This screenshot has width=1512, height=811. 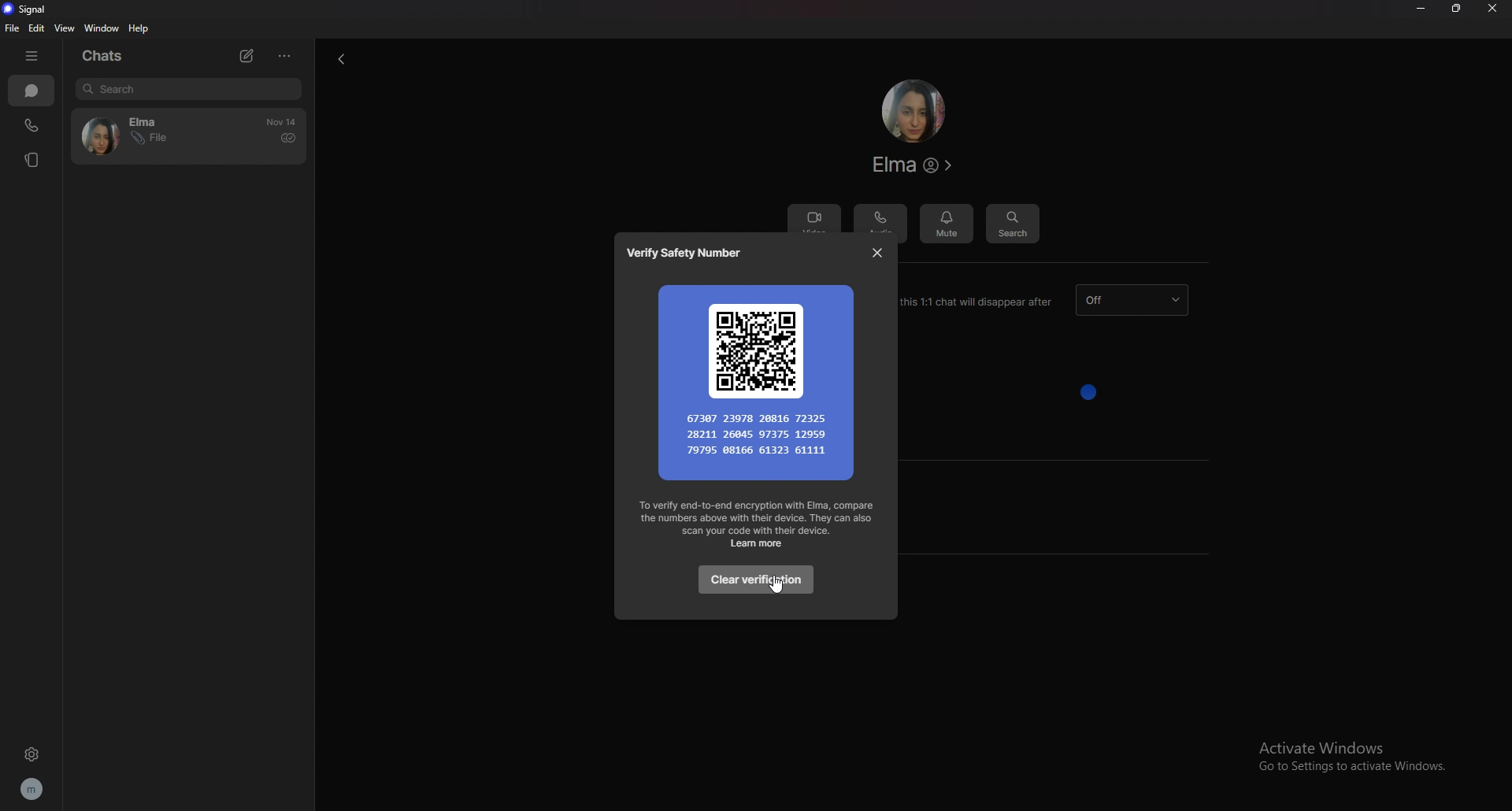 I want to click on file, so click(x=11, y=28).